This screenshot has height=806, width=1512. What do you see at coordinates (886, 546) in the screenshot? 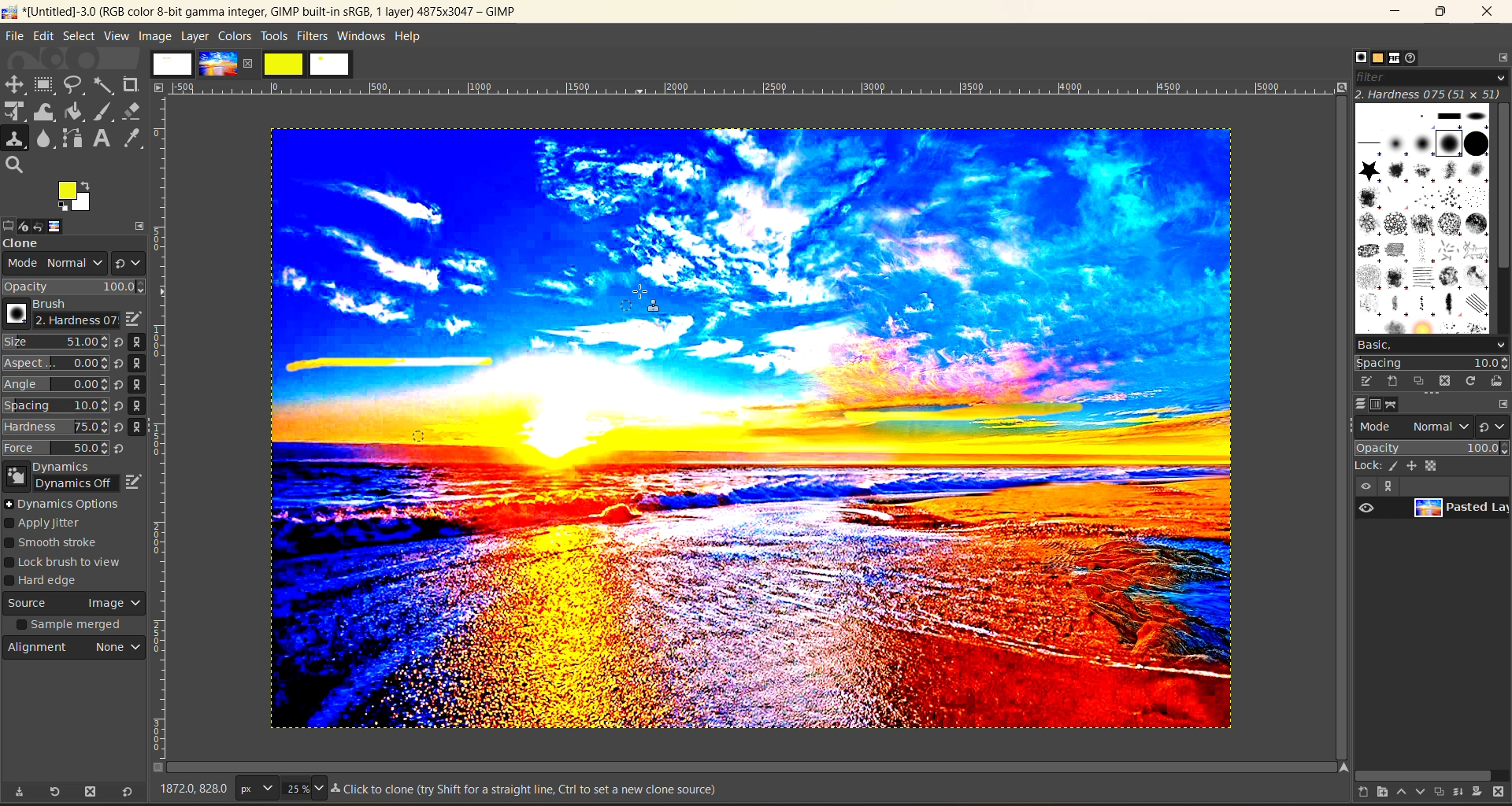
I see `image` at bounding box center [886, 546].